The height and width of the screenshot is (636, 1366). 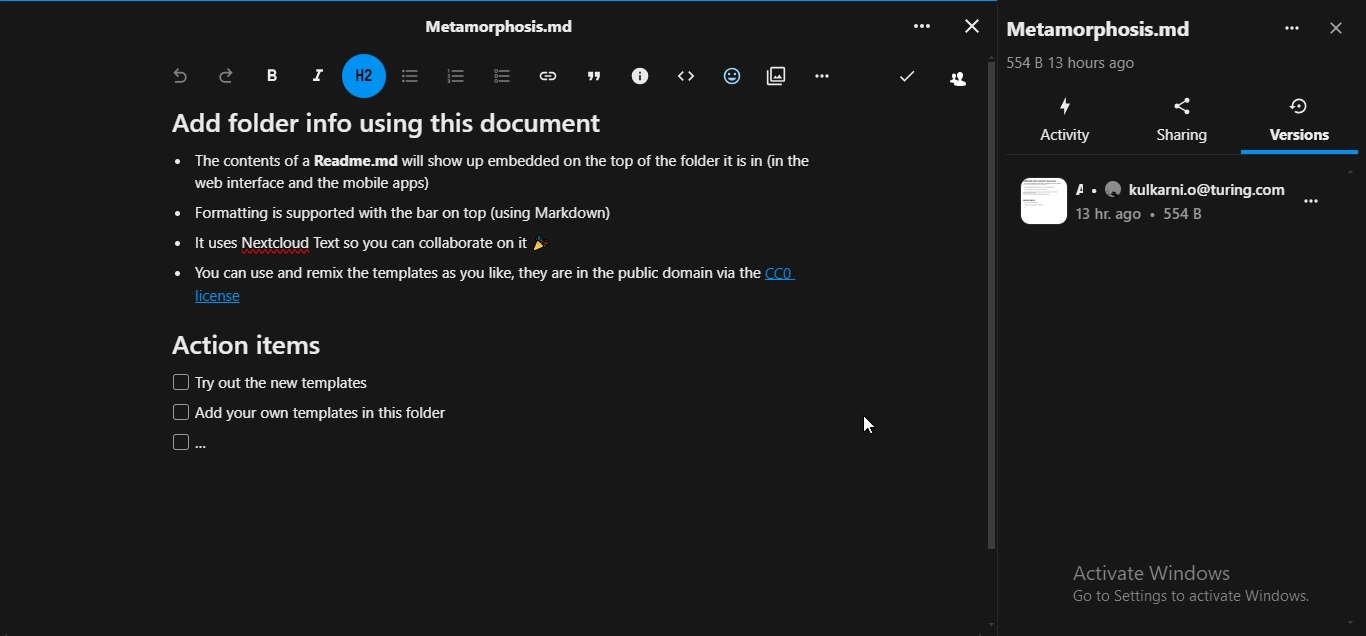 I want to click on 554 B 13 hours ago, so click(x=1070, y=62).